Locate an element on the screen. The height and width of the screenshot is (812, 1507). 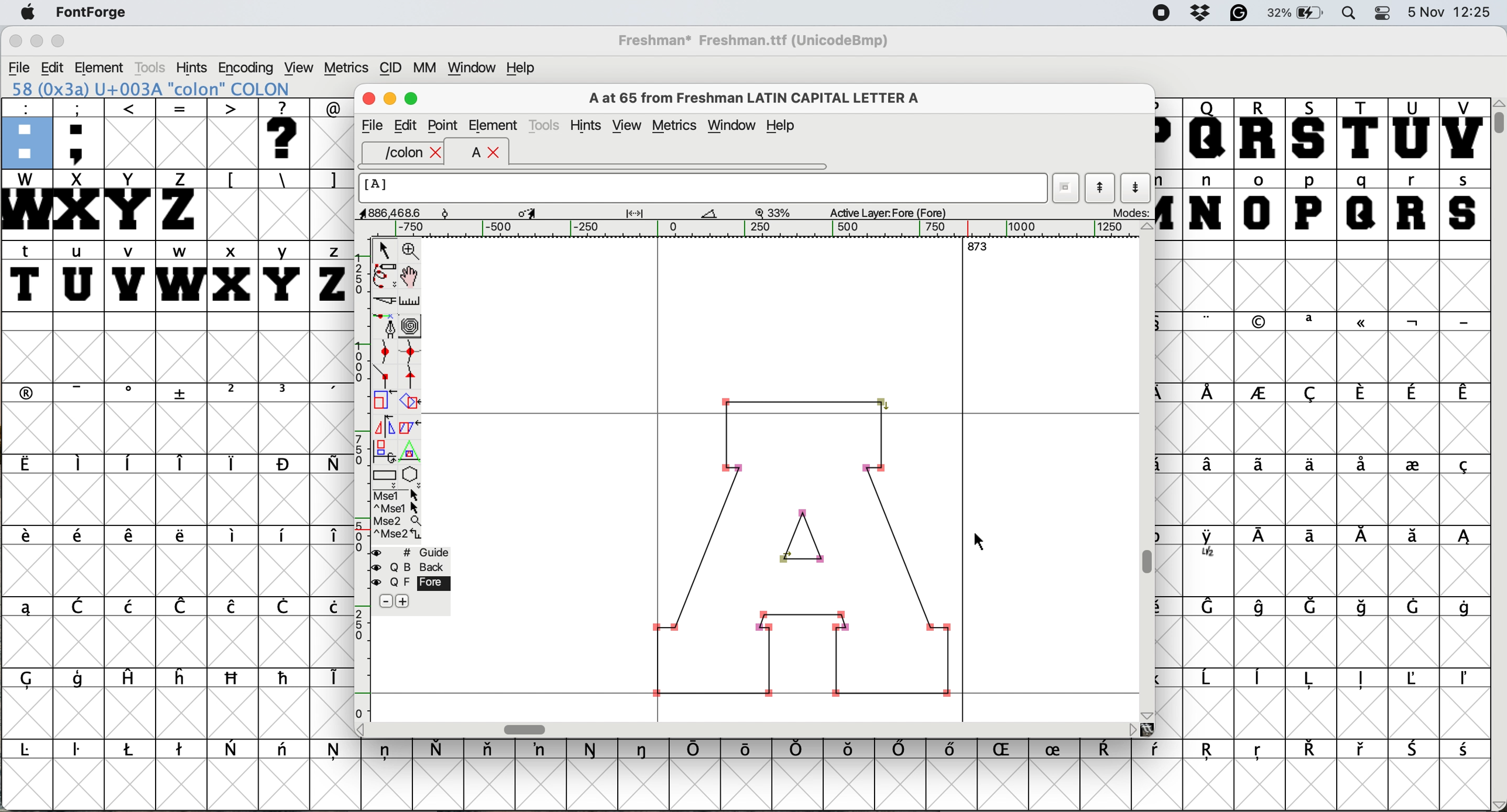
179 (0xb3) U+00B3 "uniO0B3" SUPERSCRIPT THREE is located at coordinates (178, 88).